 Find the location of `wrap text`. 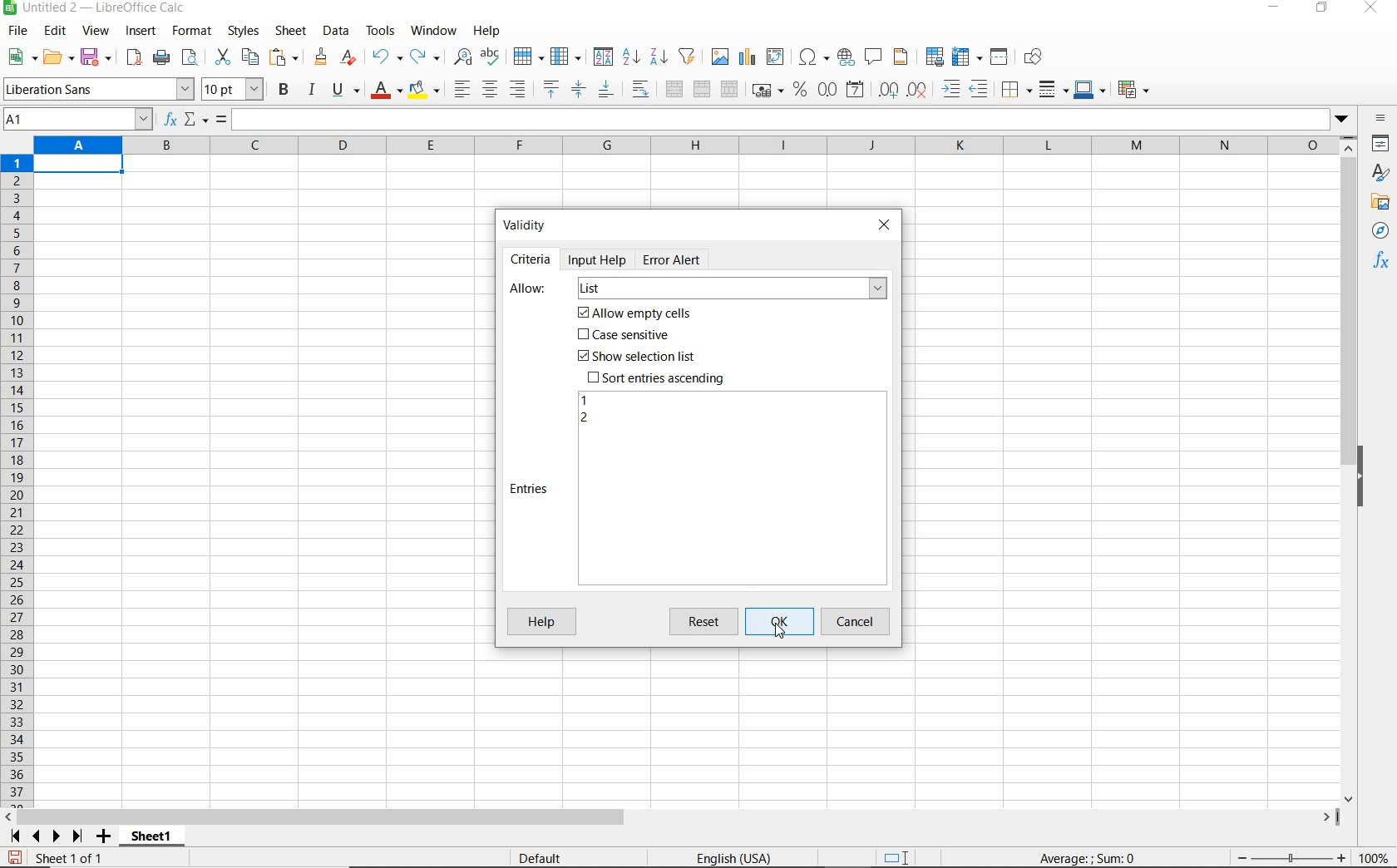

wrap text is located at coordinates (643, 88).